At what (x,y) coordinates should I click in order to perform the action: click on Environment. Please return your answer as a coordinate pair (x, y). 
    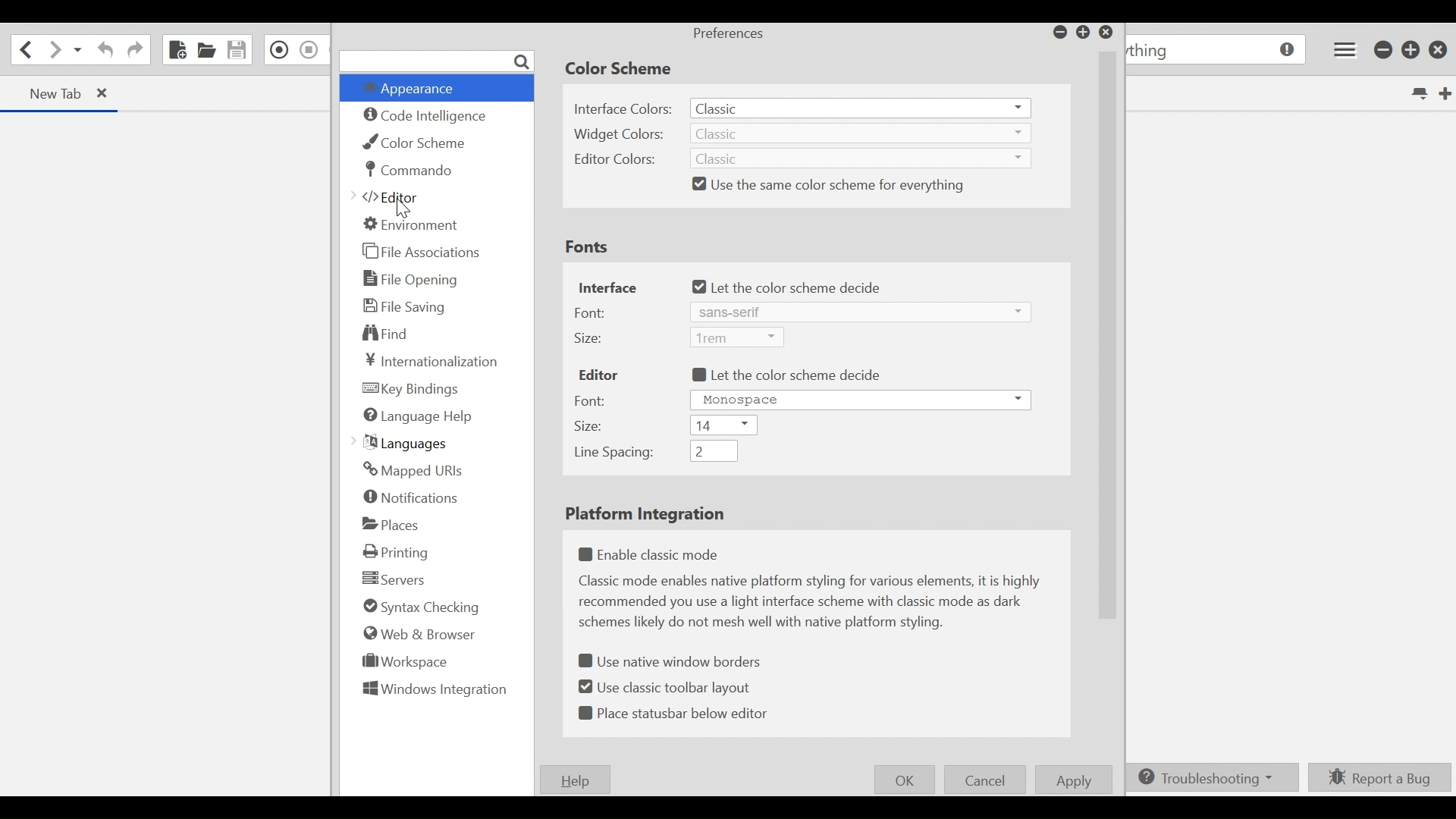
    Looking at the image, I should click on (408, 224).